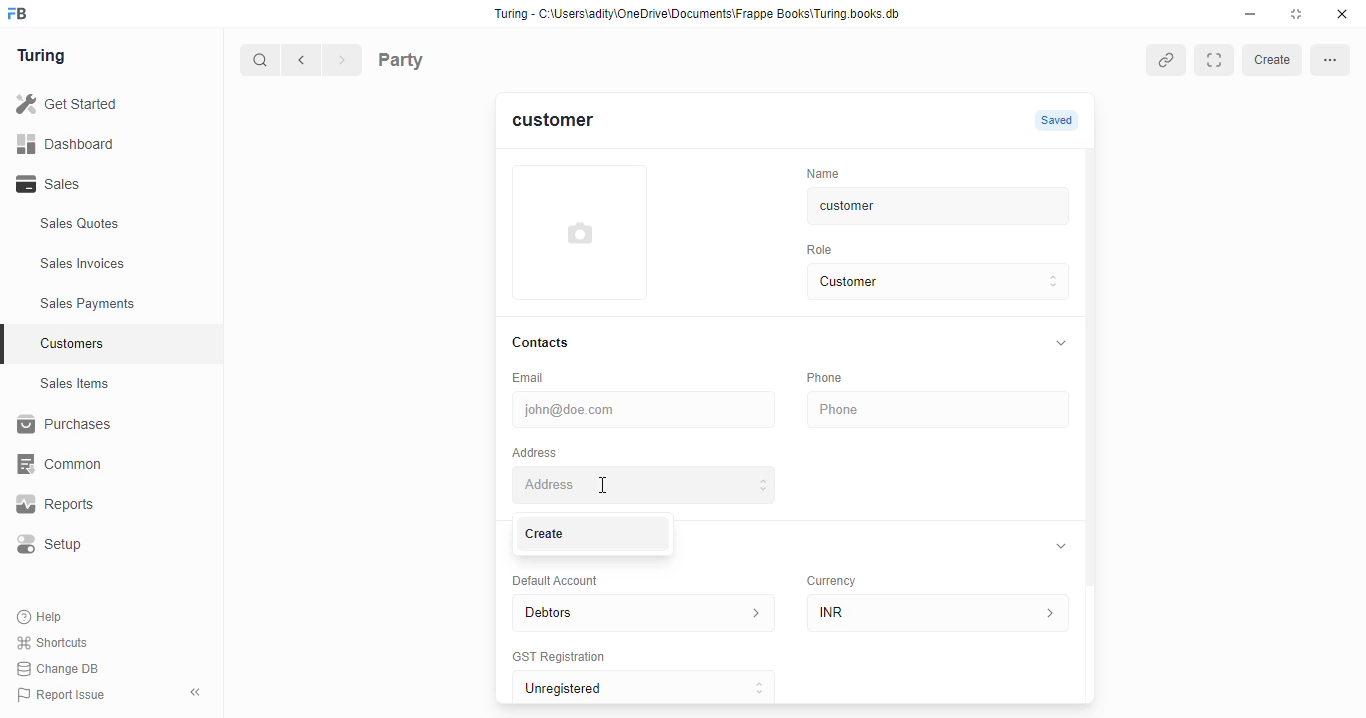 Image resolution: width=1366 pixels, height=718 pixels. I want to click on Setup, so click(101, 544).